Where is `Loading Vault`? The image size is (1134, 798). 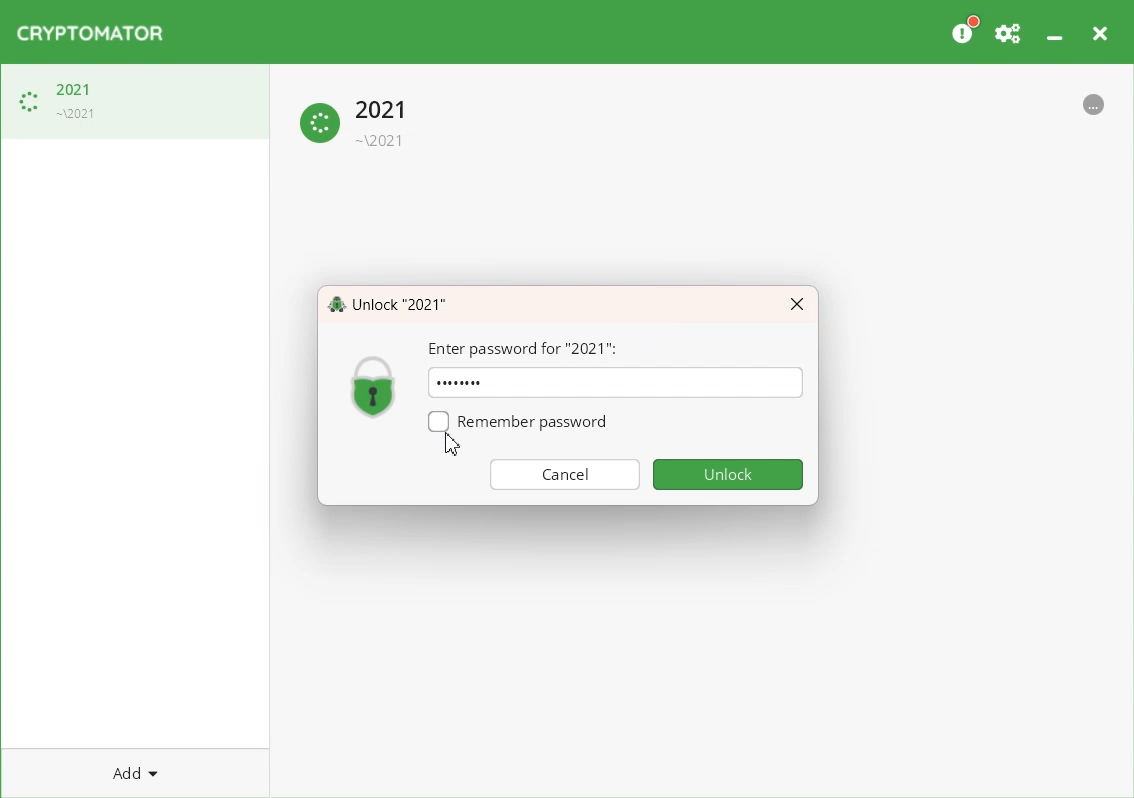
Loading Vault is located at coordinates (135, 101).